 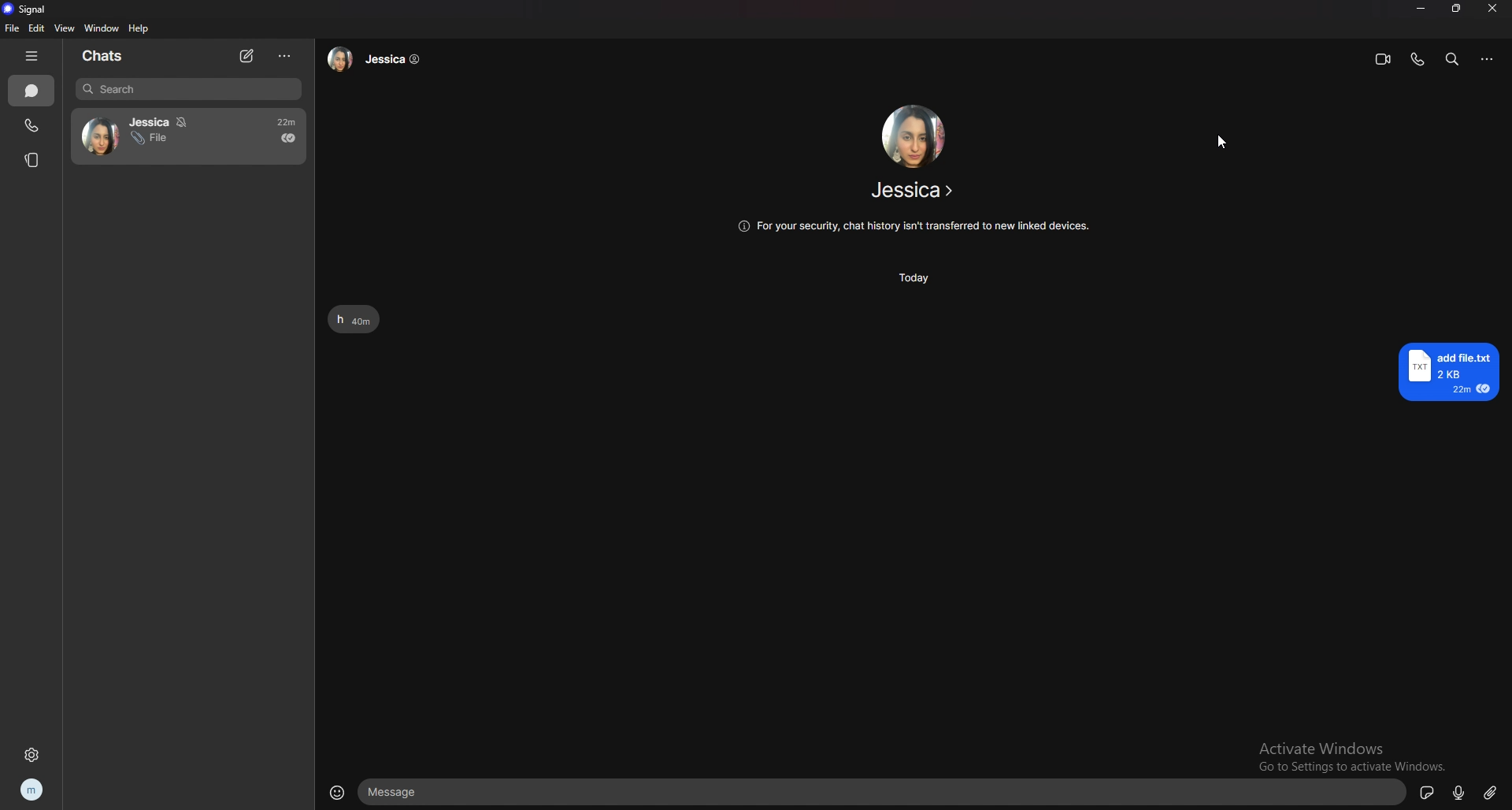 What do you see at coordinates (34, 57) in the screenshot?
I see `hide tab` at bounding box center [34, 57].